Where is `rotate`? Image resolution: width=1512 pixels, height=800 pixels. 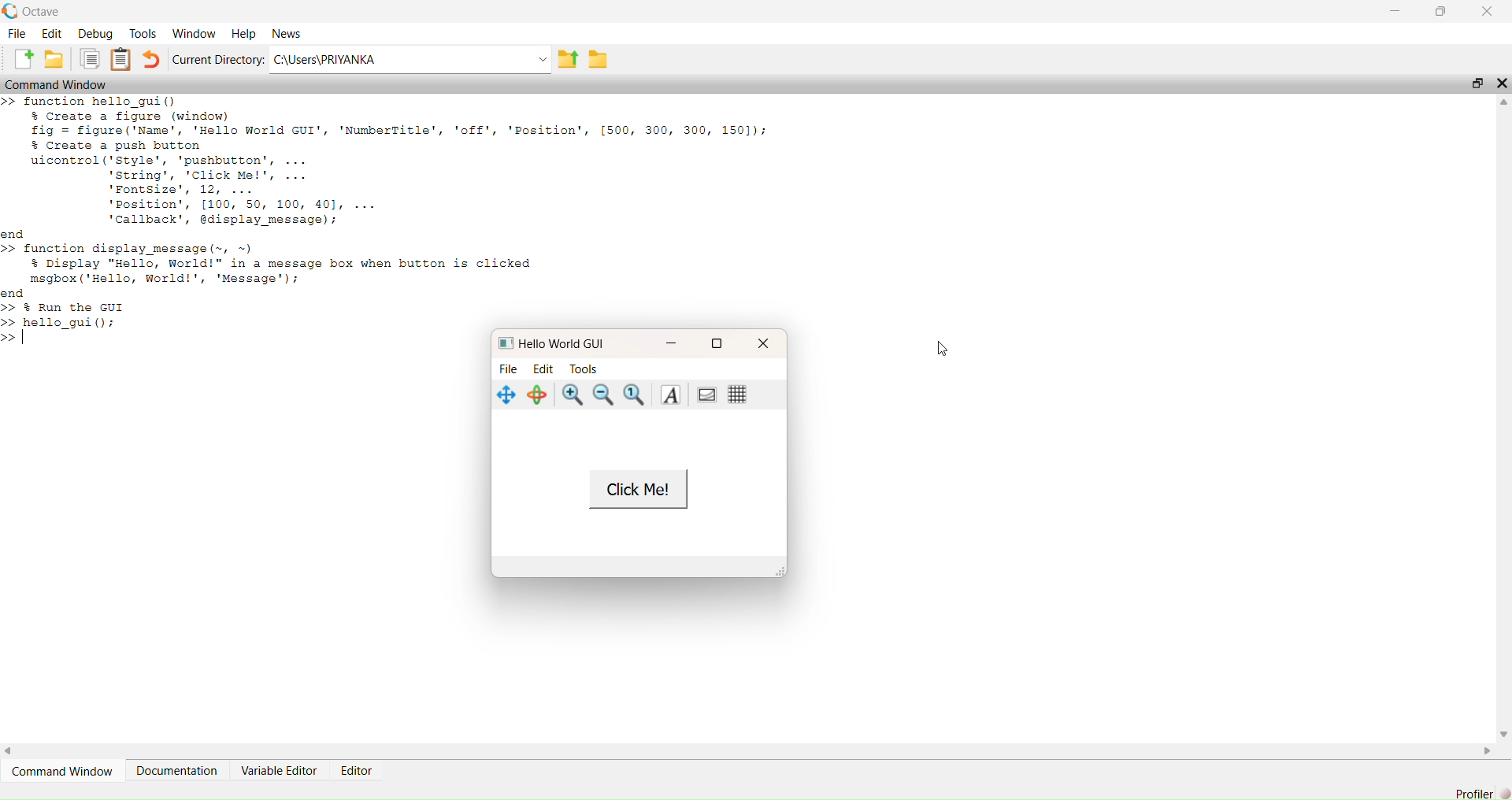 rotate is located at coordinates (537, 396).